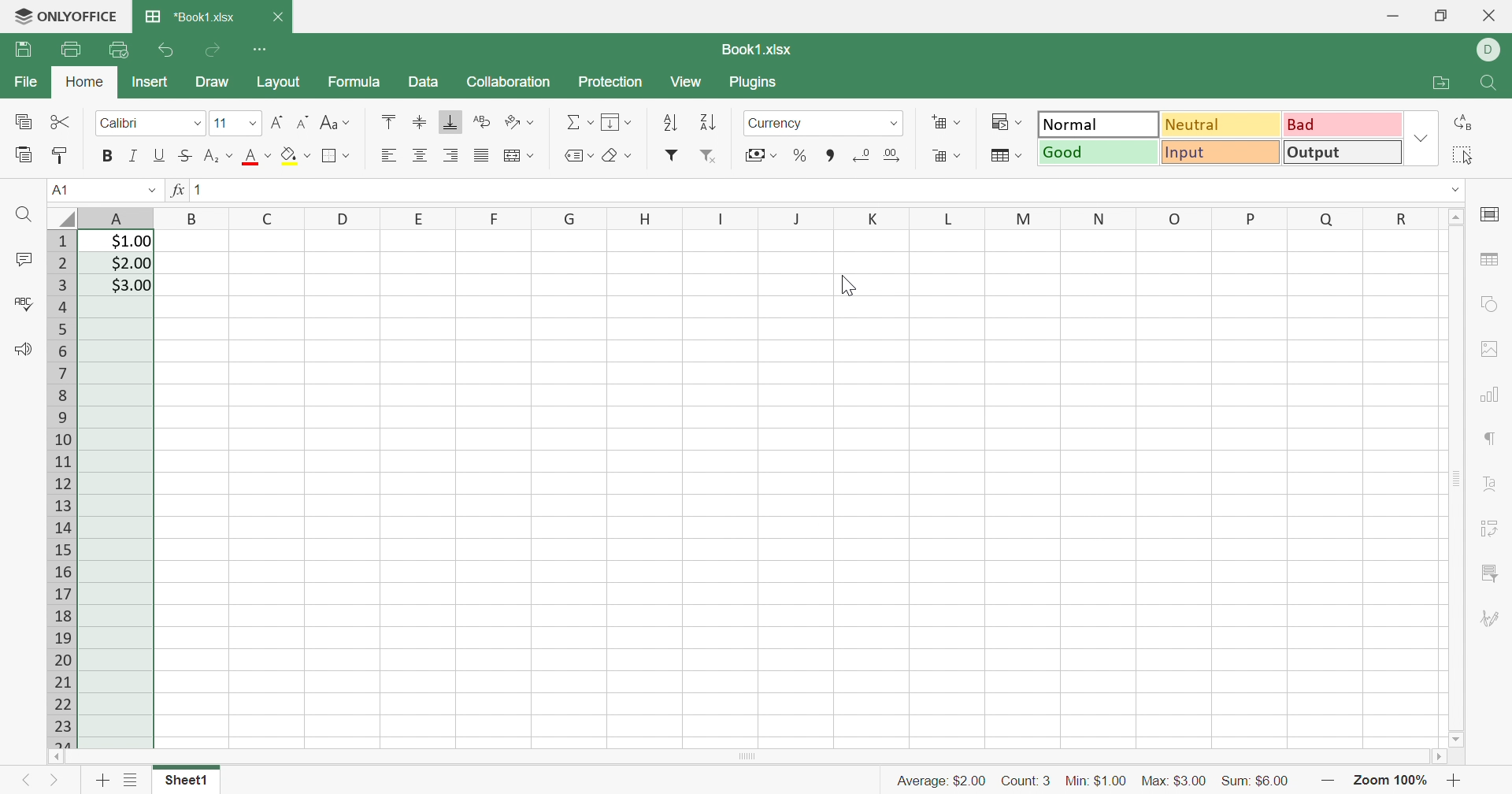  Describe the element at coordinates (24, 154) in the screenshot. I see `Paste` at that location.